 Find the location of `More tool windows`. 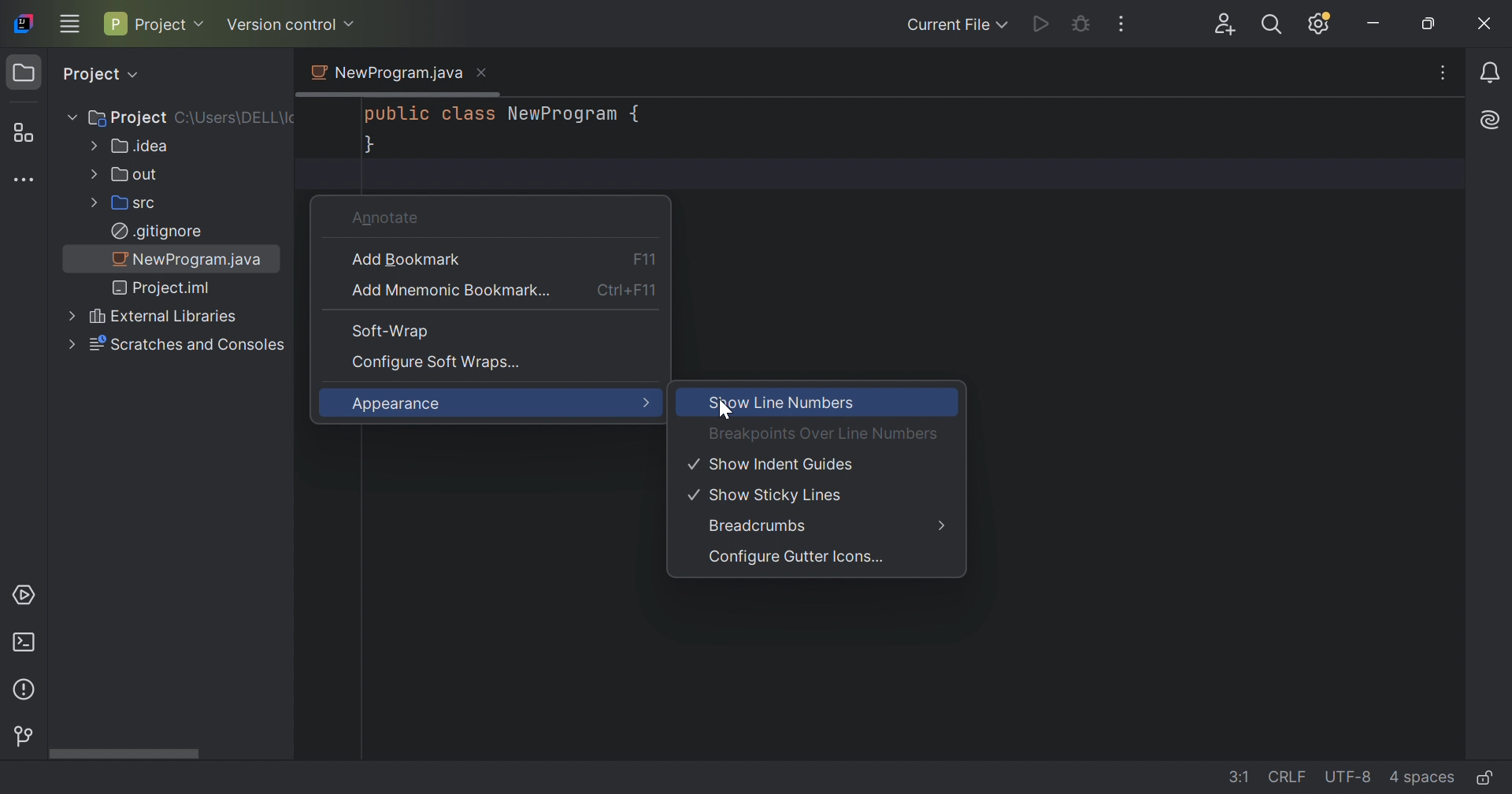

More tool windows is located at coordinates (24, 181).